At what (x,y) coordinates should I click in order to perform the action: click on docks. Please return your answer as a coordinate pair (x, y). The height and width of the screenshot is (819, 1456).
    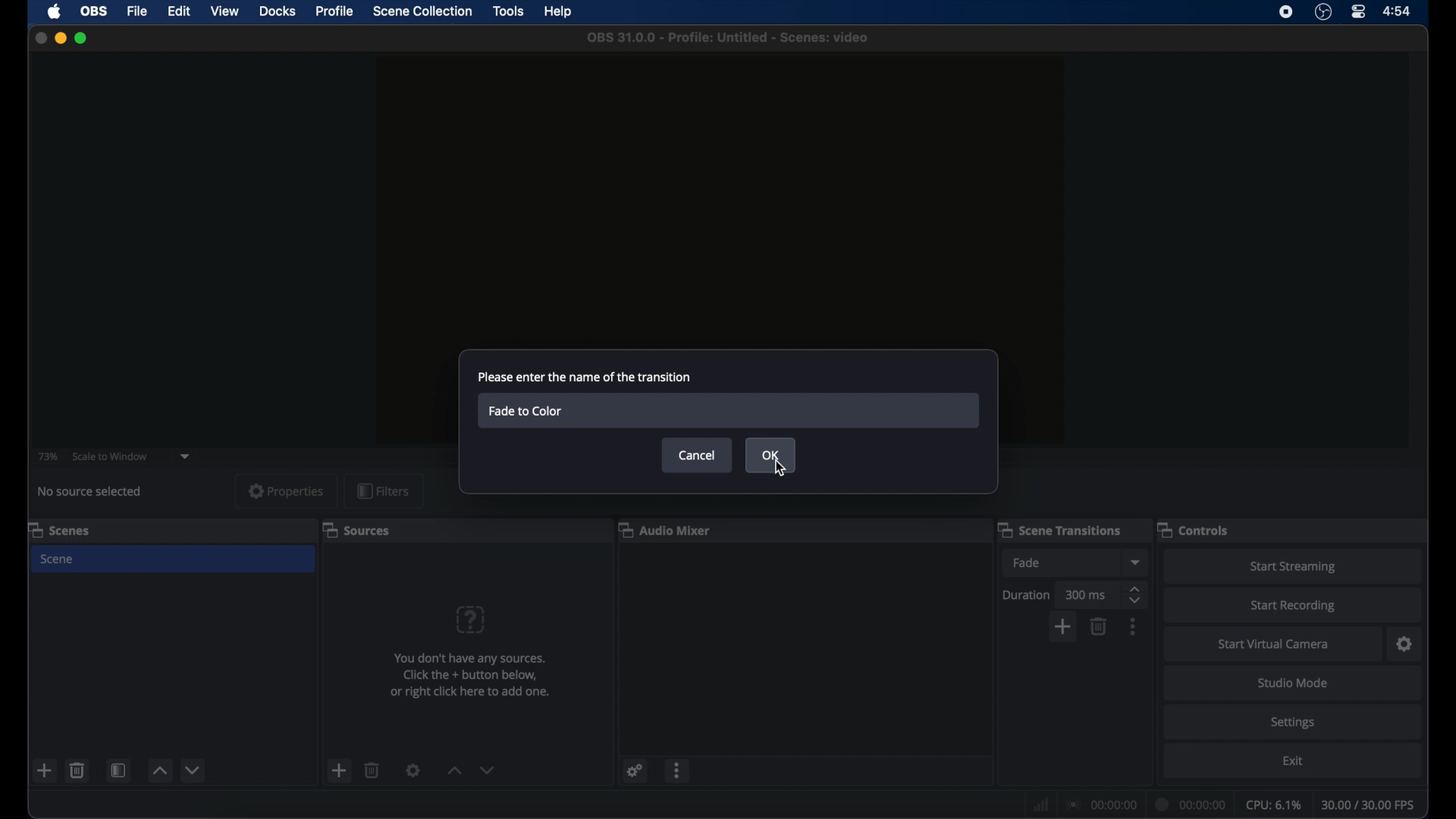
    Looking at the image, I should click on (278, 11).